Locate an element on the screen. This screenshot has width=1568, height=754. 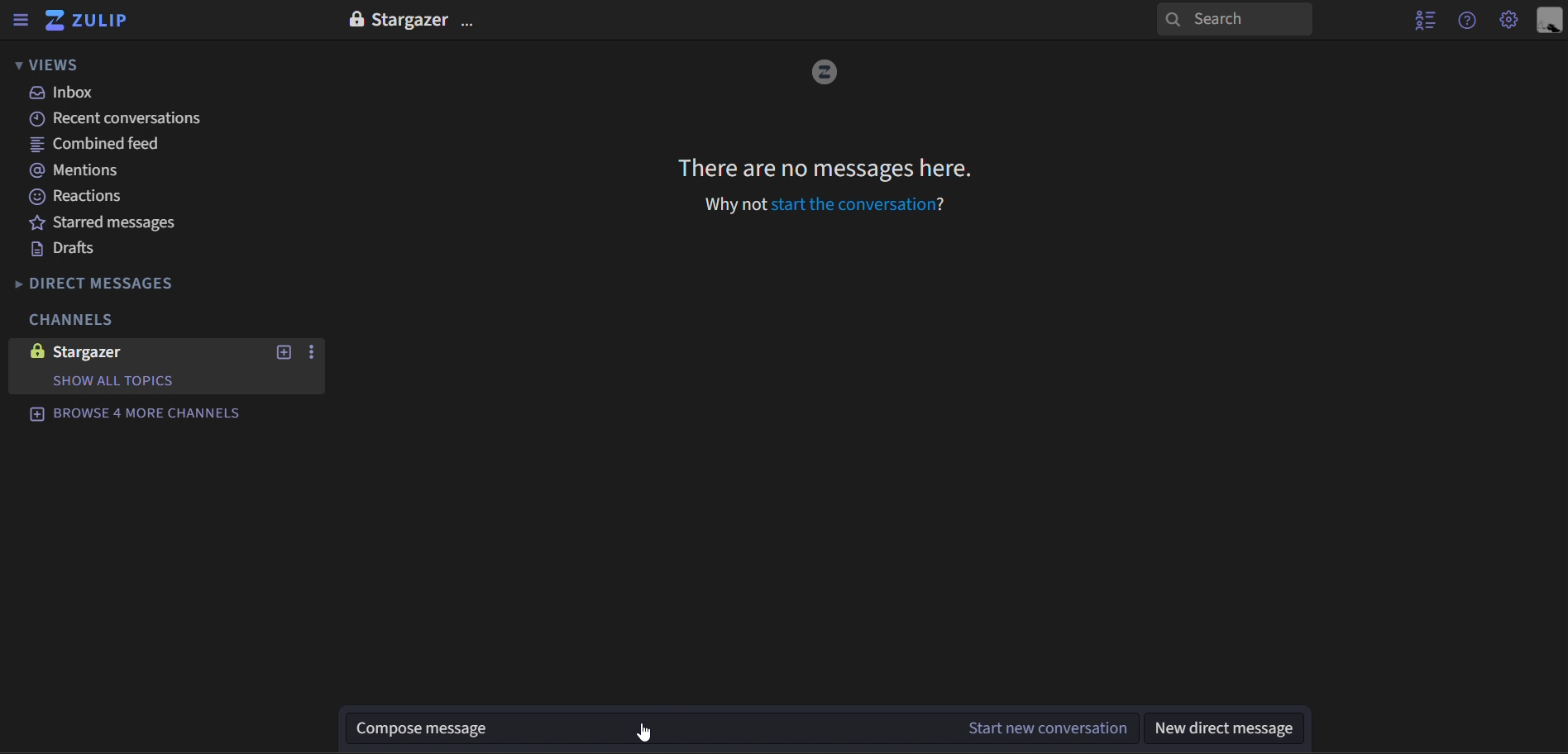
browse 4 more channels is located at coordinates (131, 417).